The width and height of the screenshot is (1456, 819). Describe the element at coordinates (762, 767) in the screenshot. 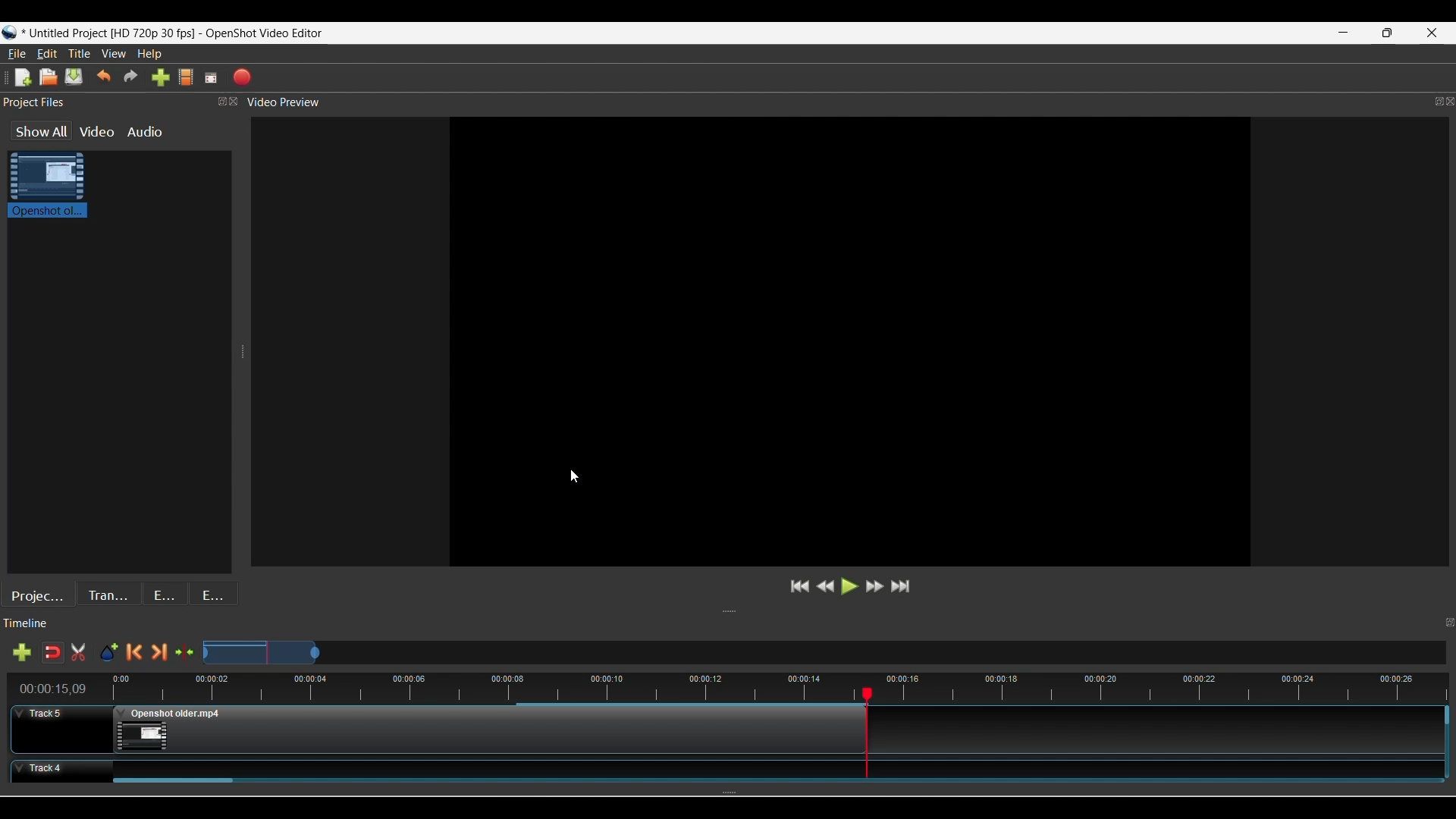

I see `Clip at Track Panel` at that location.